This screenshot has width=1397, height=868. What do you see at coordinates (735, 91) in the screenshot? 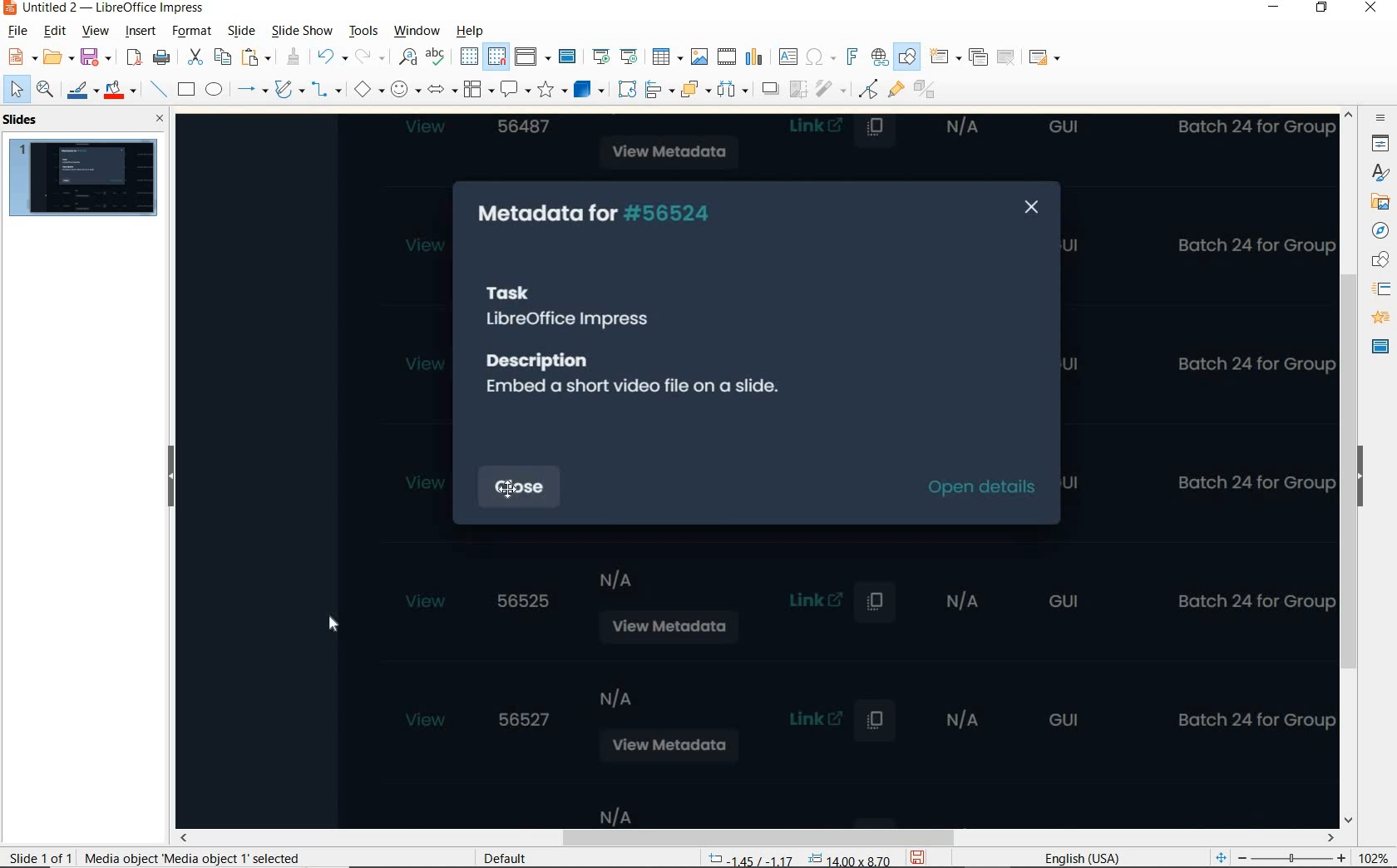
I see `icon` at bounding box center [735, 91].